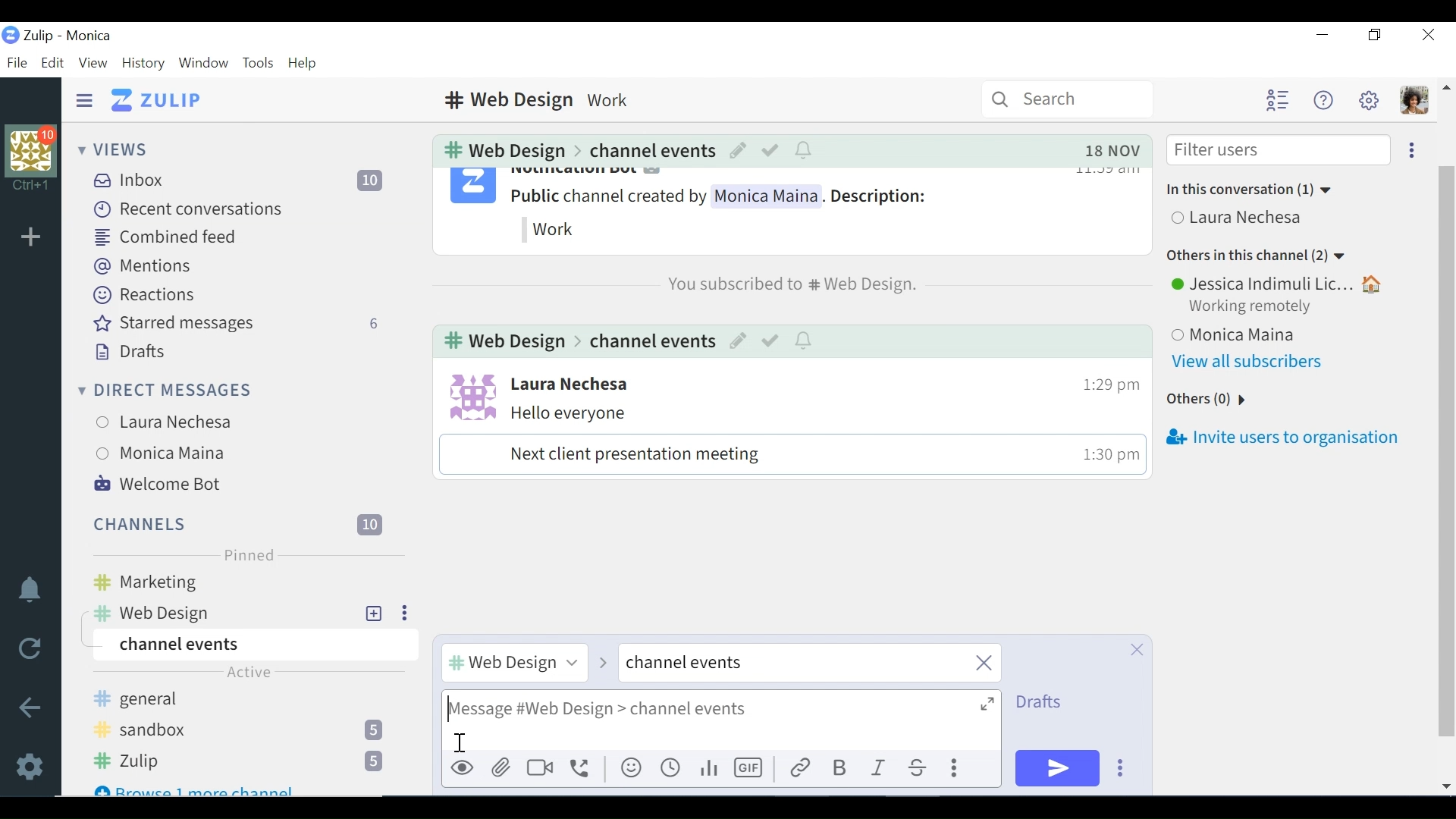 This screenshot has height=819, width=1456. What do you see at coordinates (1285, 331) in the screenshot?
I see `User` at bounding box center [1285, 331].